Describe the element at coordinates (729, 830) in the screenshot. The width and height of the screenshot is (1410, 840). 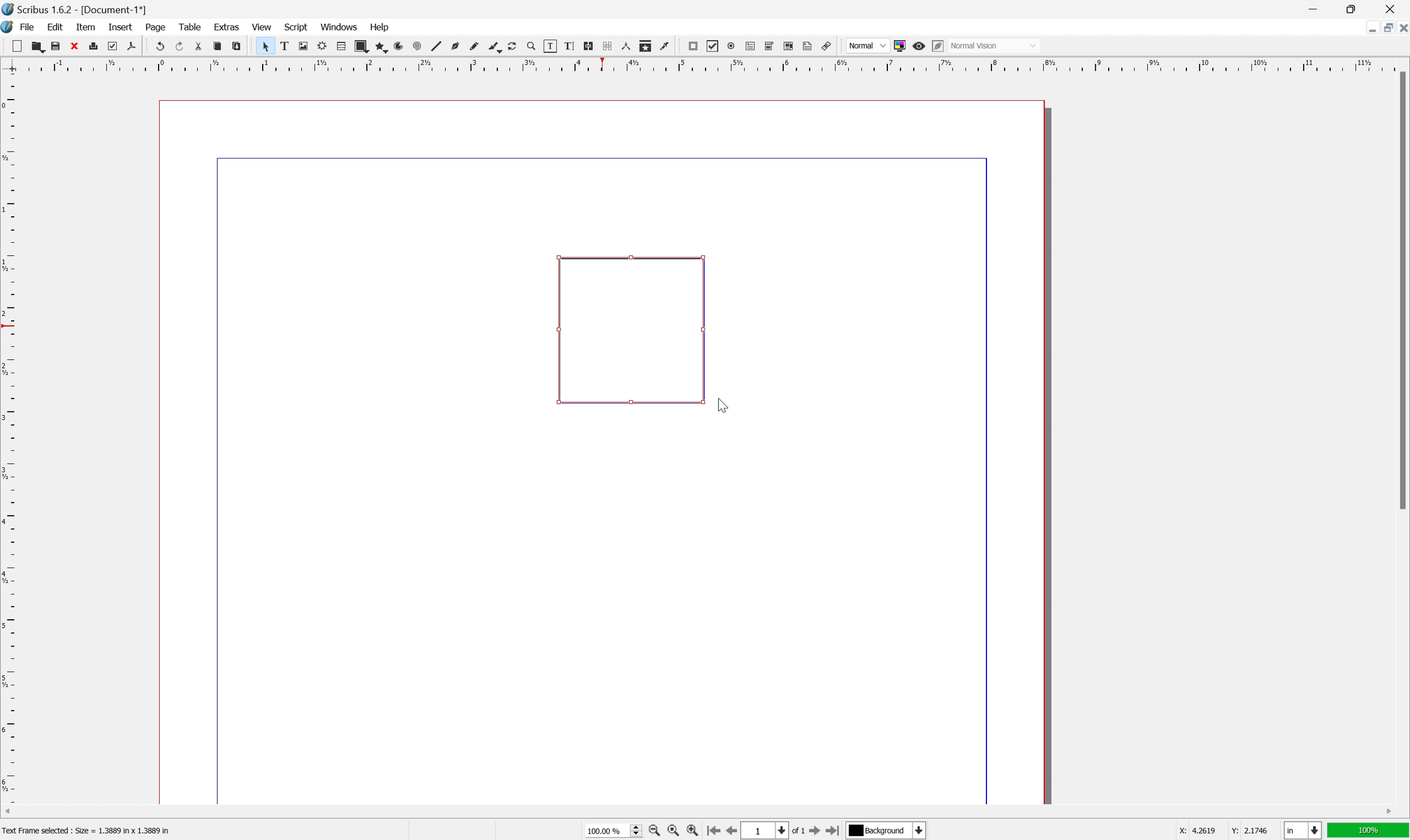
I see `go to previous page` at that location.